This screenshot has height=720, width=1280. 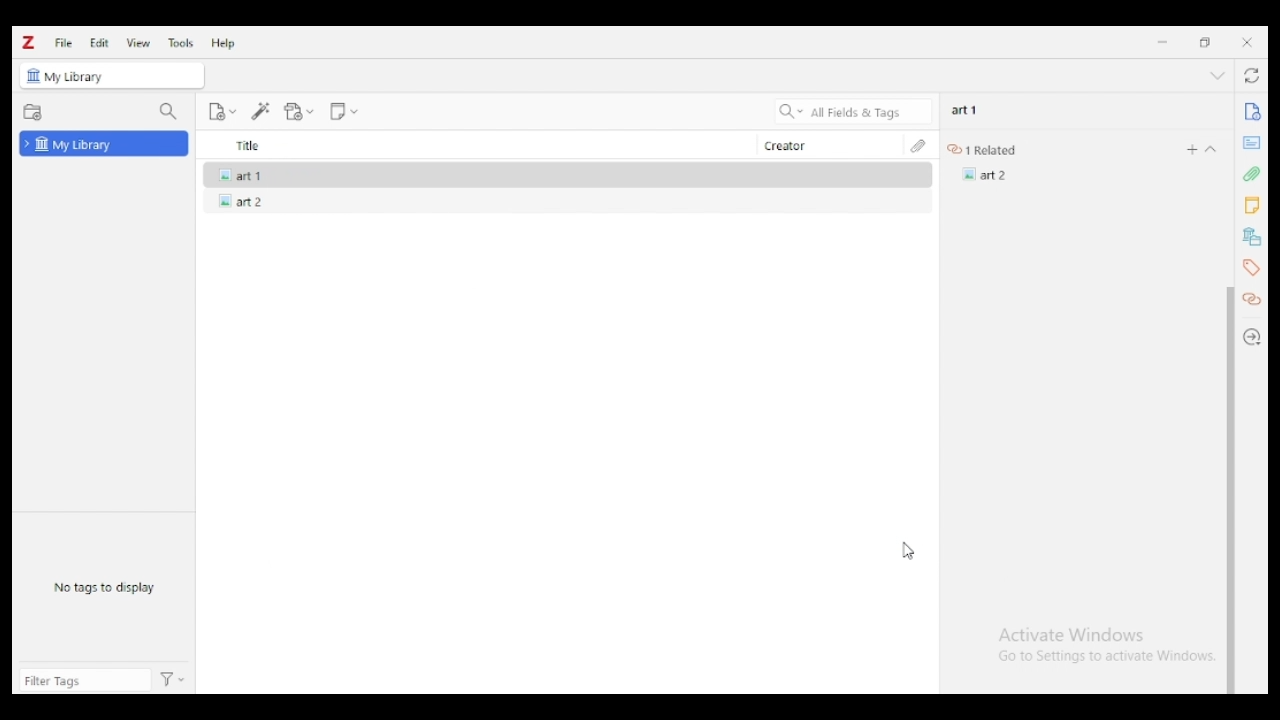 What do you see at coordinates (33, 76) in the screenshot?
I see `icon` at bounding box center [33, 76].